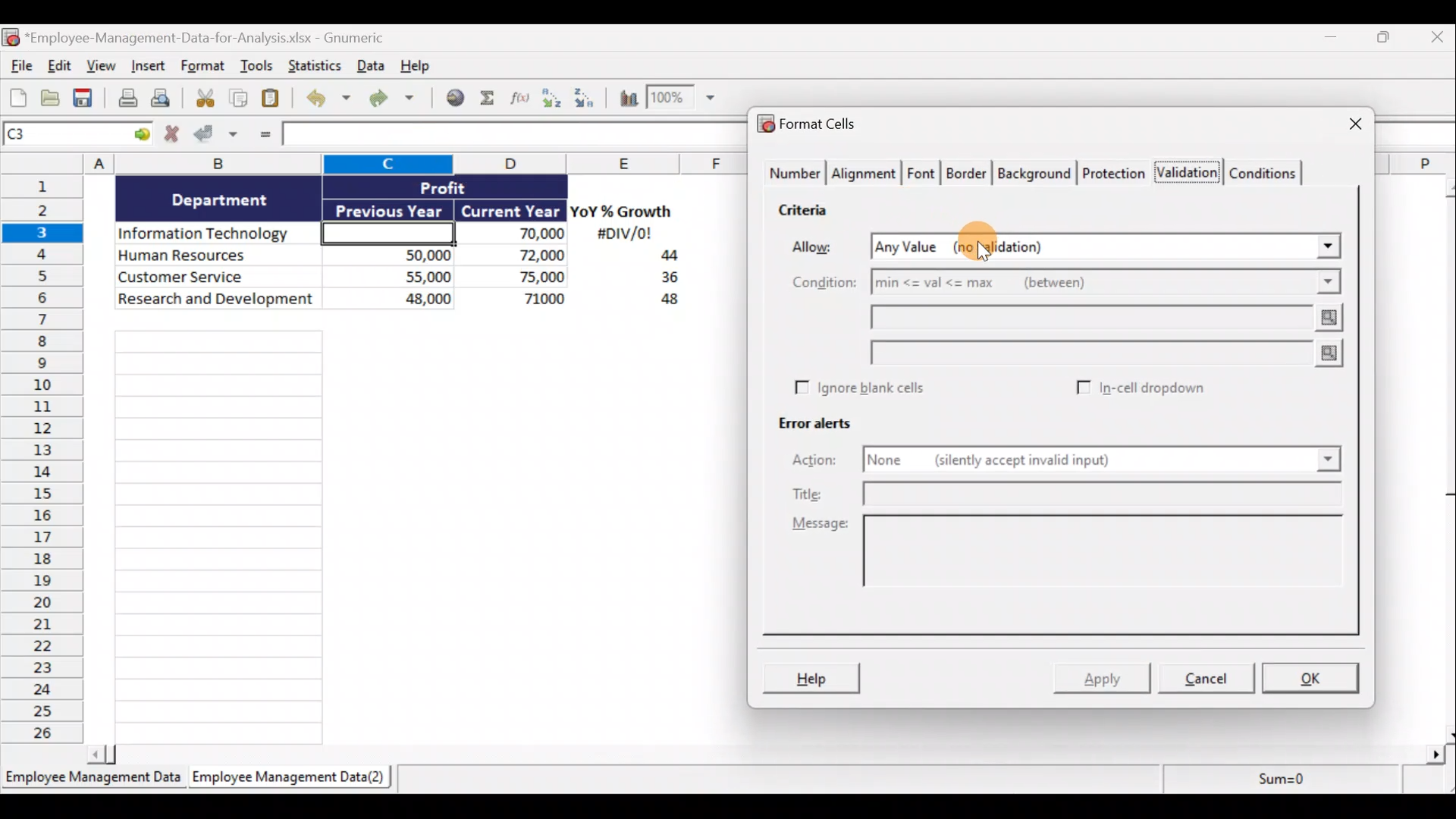 The image size is (1456, 819). Describe the element at coordinates (1107, 318) in the screenshot. I see `Min value` at that location.